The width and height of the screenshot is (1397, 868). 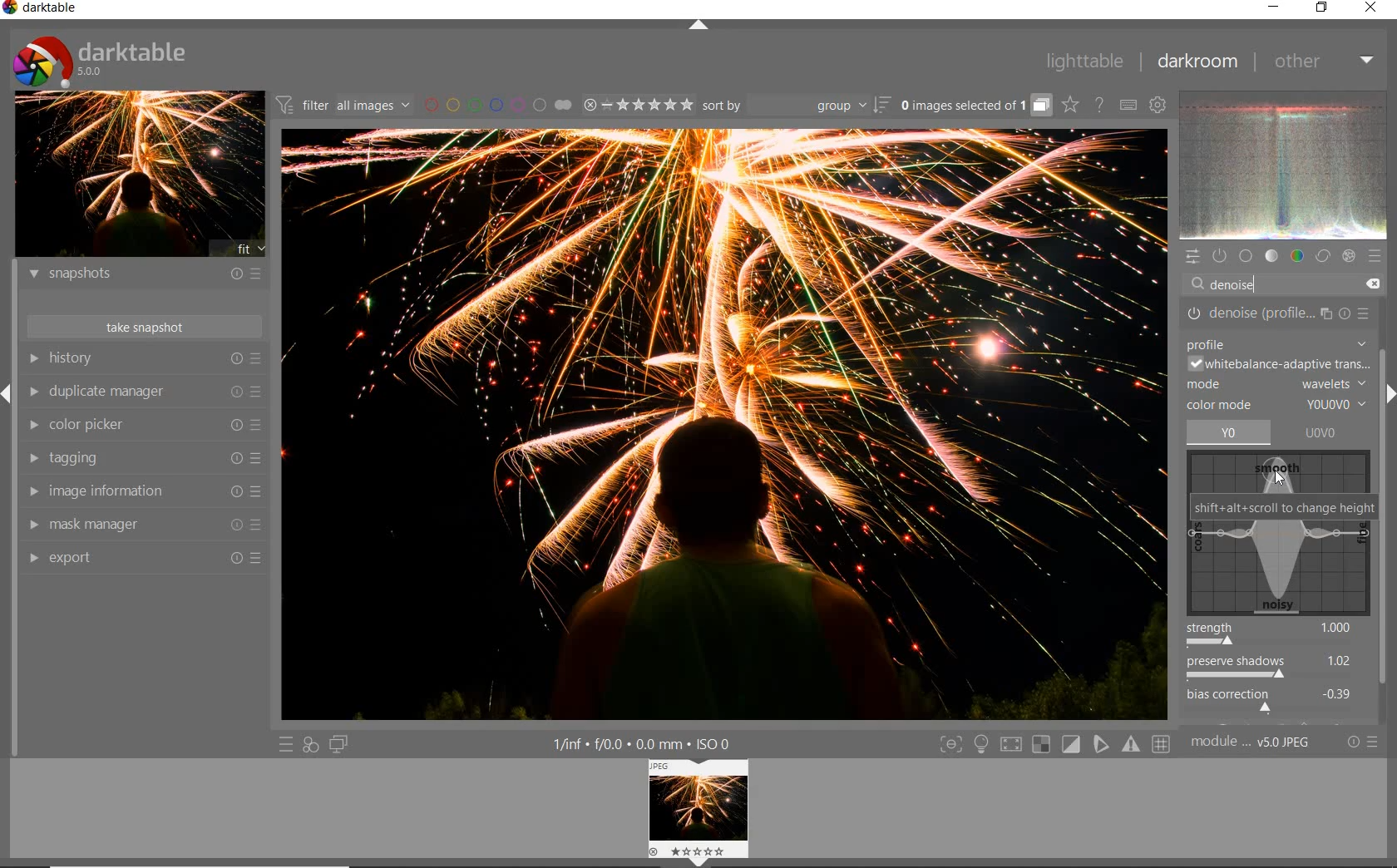 I want to click on color, so click(x=1298, y=256).